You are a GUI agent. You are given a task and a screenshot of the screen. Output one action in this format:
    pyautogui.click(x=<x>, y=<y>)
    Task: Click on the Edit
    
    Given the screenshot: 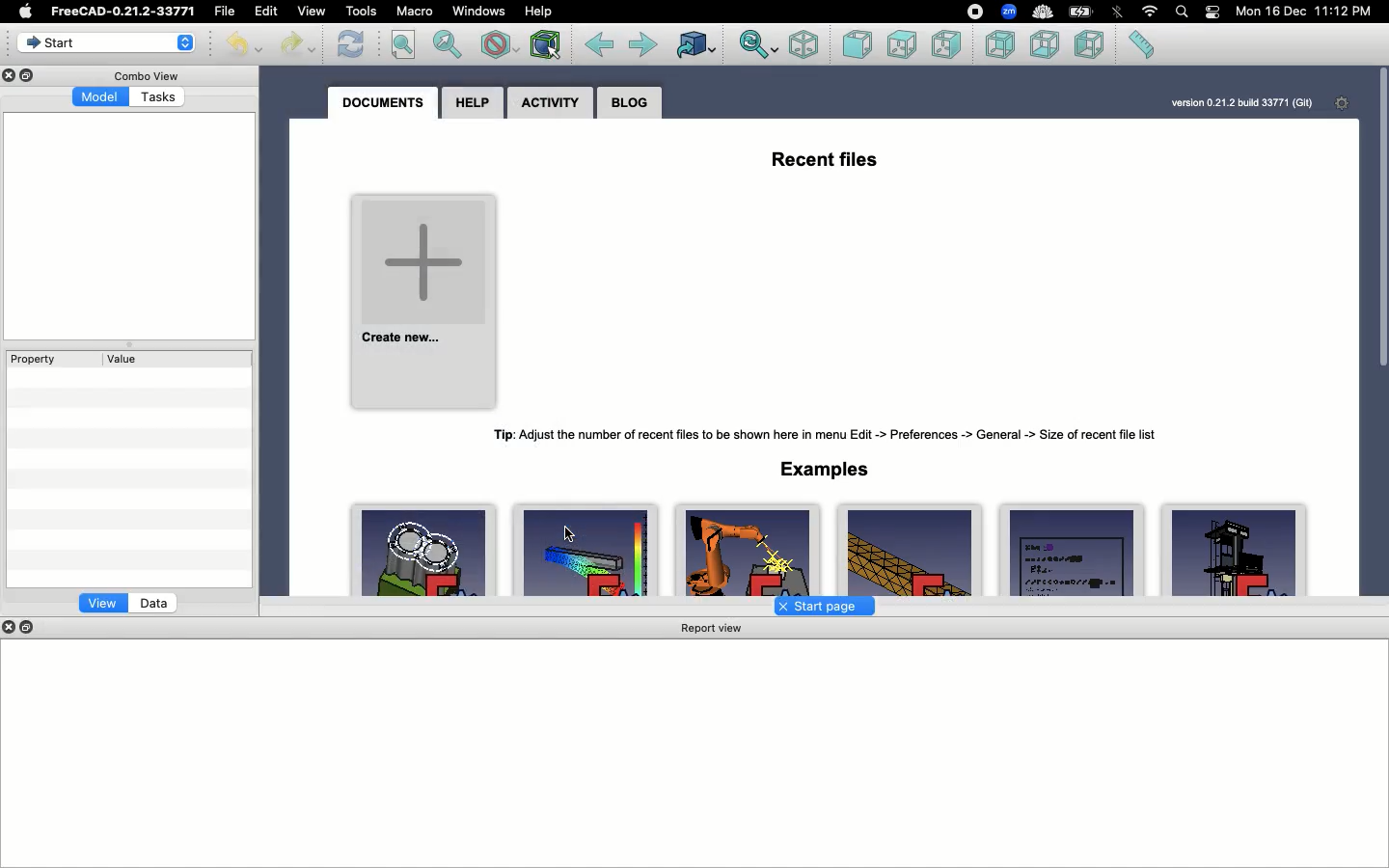 What is the action you would take?
    pyautogui.click(x=264, y=14)
    